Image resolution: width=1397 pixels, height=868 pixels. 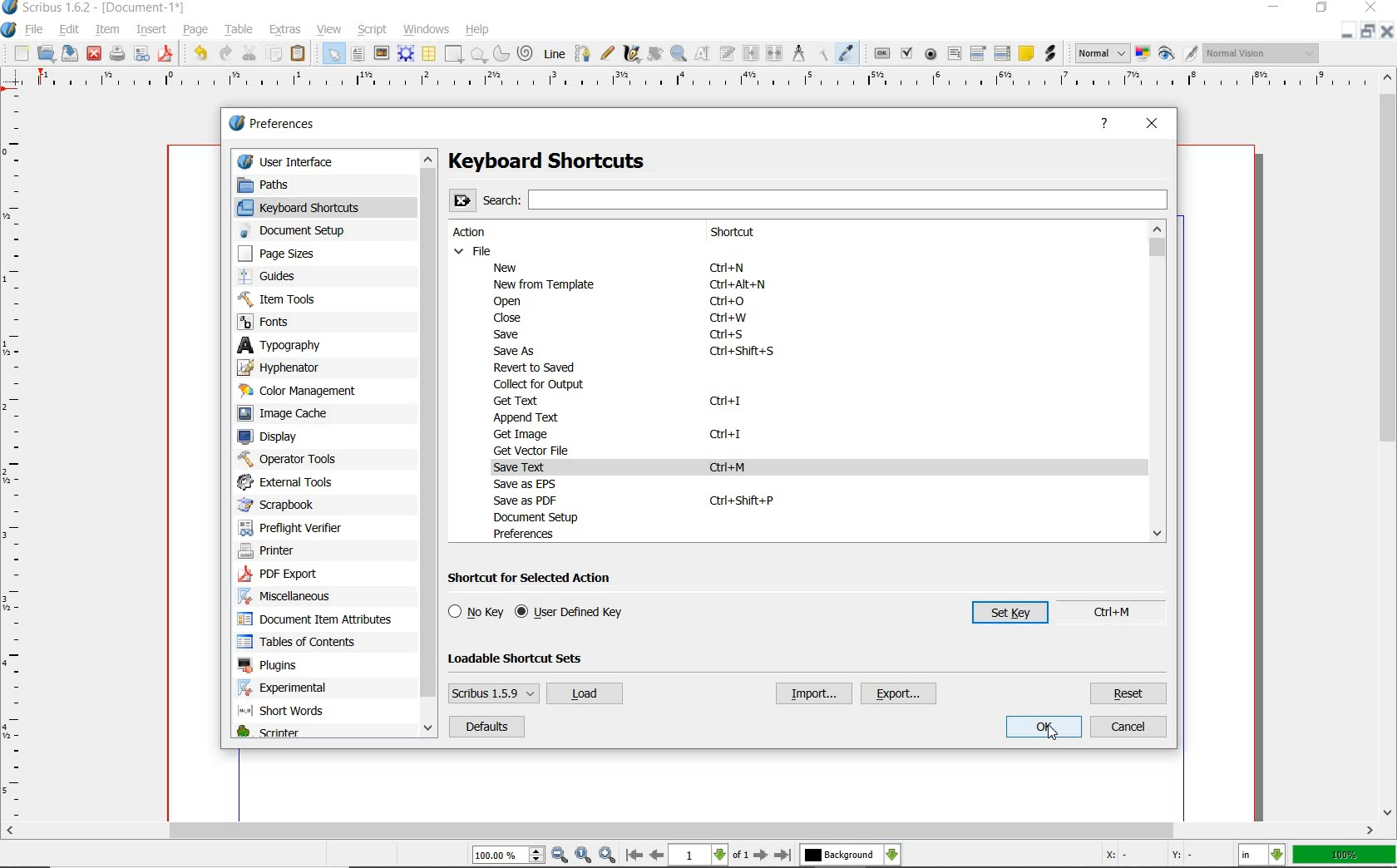 I want to click on typography, so click(x=294, y=345).